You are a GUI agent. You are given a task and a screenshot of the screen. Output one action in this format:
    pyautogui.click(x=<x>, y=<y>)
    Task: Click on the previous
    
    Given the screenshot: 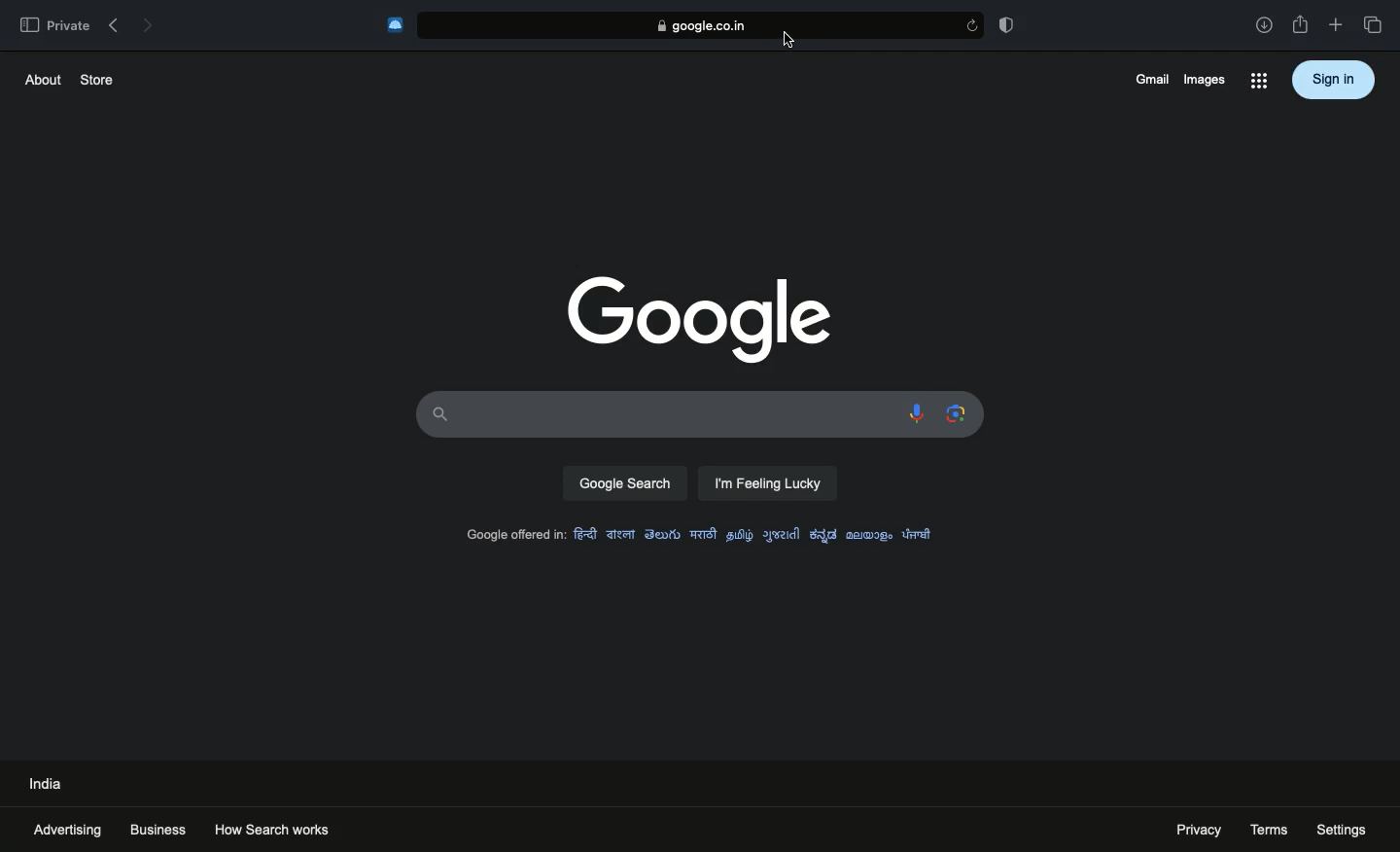 What is the action you would take?
    pyautogui.click(x=113, y=21)
    